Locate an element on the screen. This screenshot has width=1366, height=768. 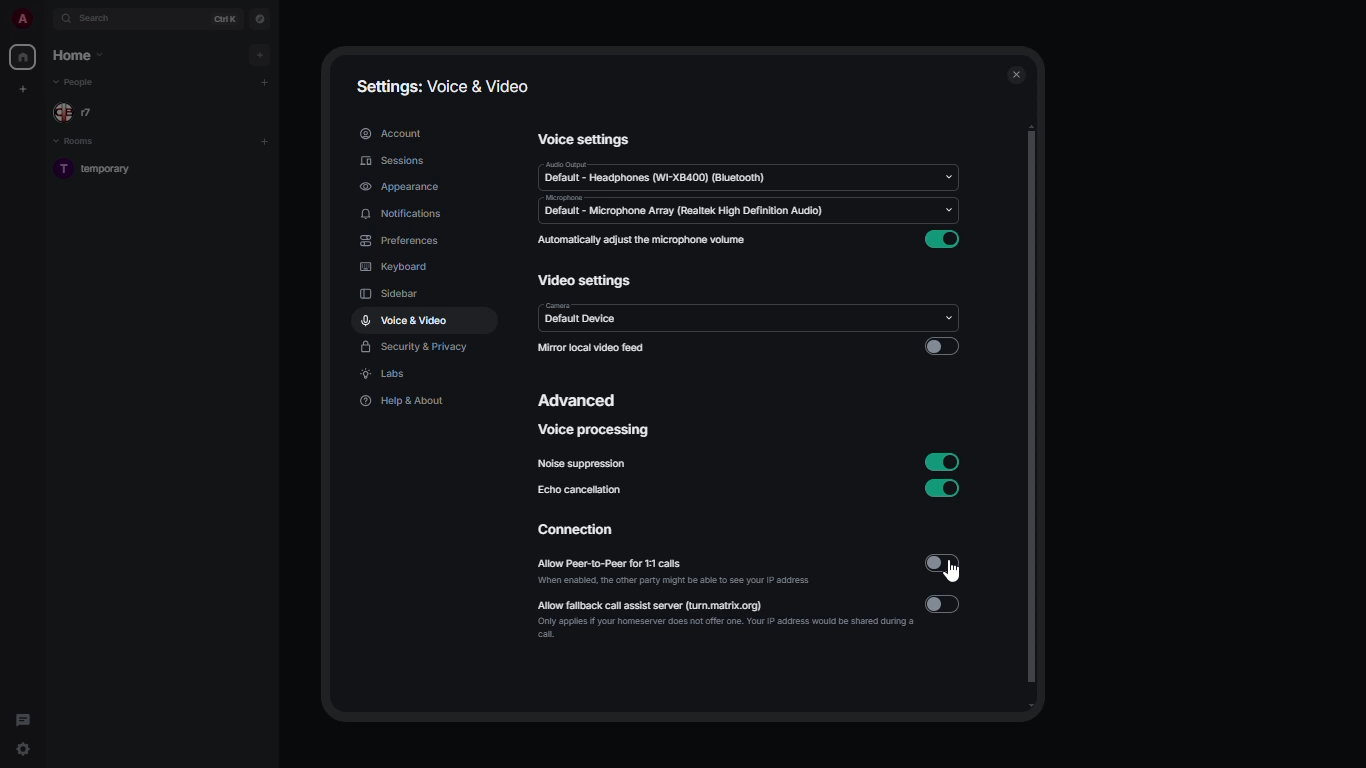
drop down is located at coordinates (953, 213).